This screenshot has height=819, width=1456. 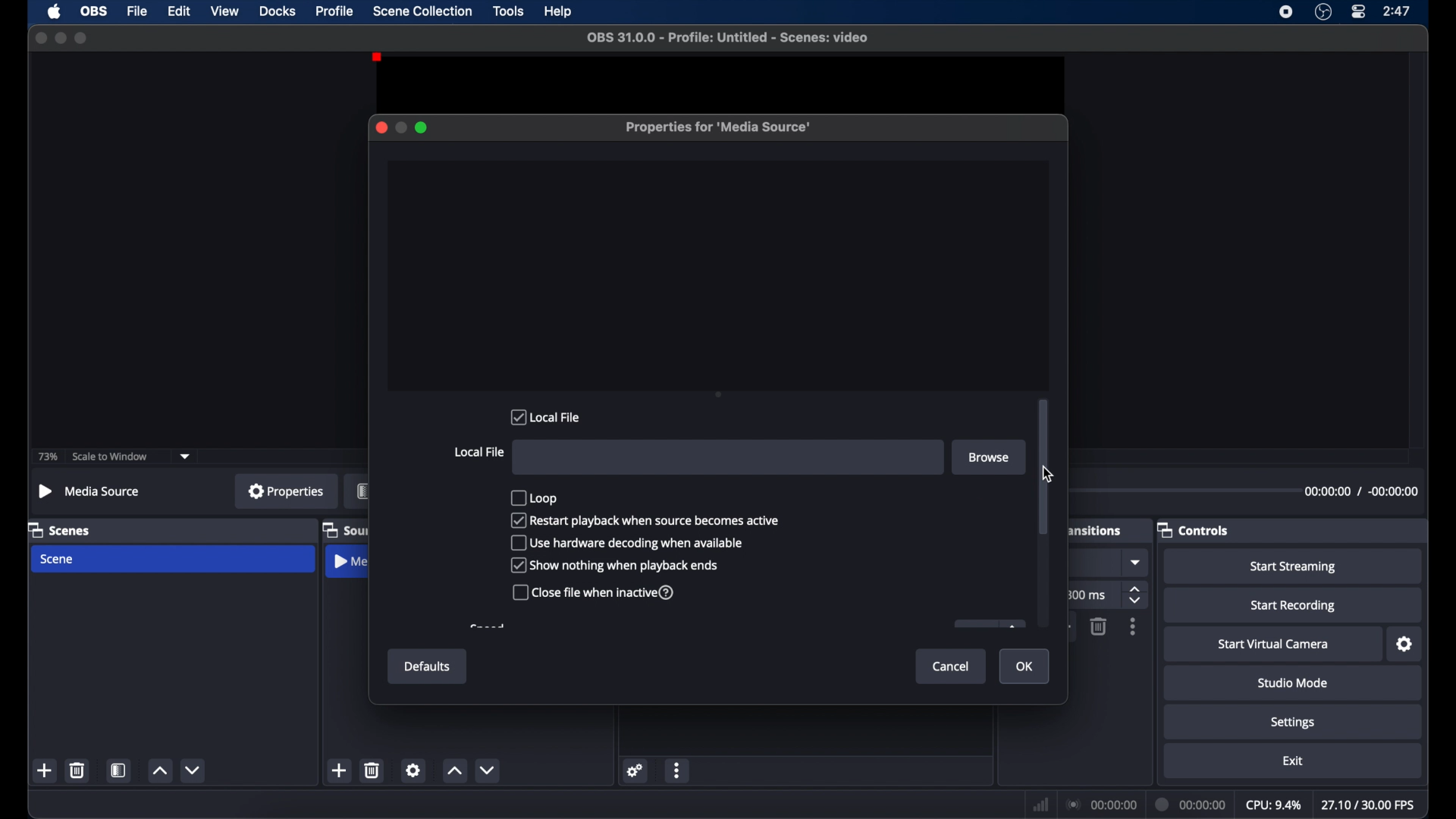 I want to click on duration, so click(x=1360, y=491).